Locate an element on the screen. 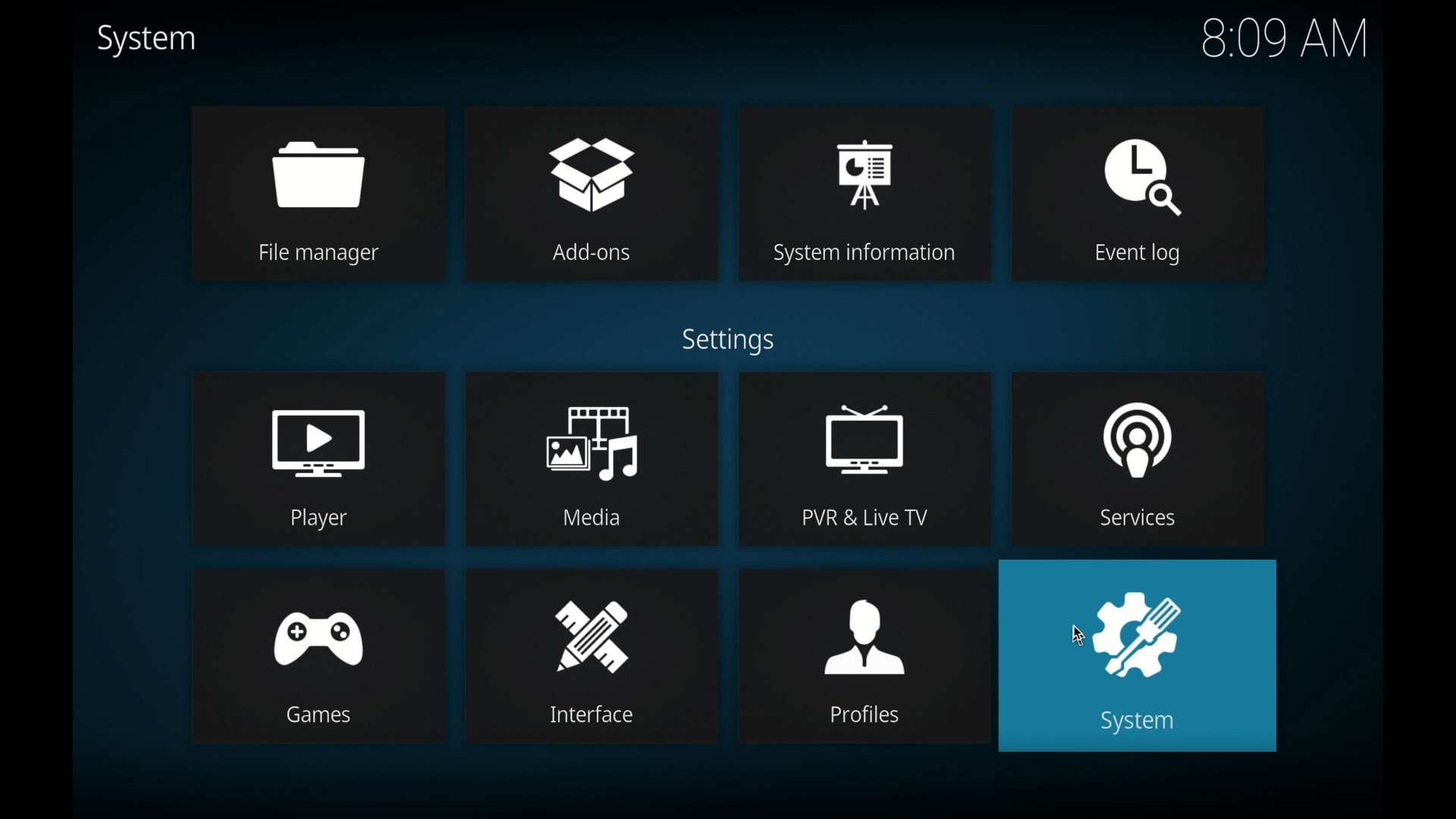  add-ons is located at coordinates (591, 193).